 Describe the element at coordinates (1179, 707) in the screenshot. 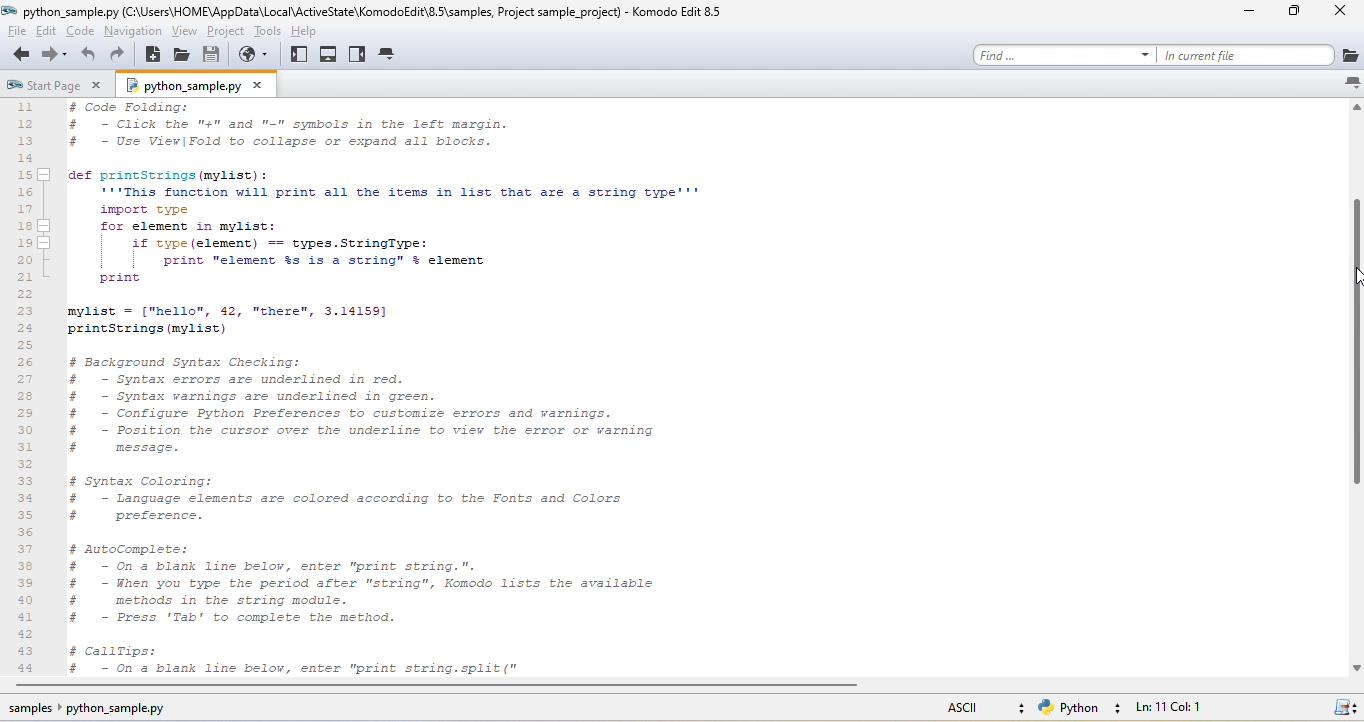

I see `ln 11, col 1` at that location.